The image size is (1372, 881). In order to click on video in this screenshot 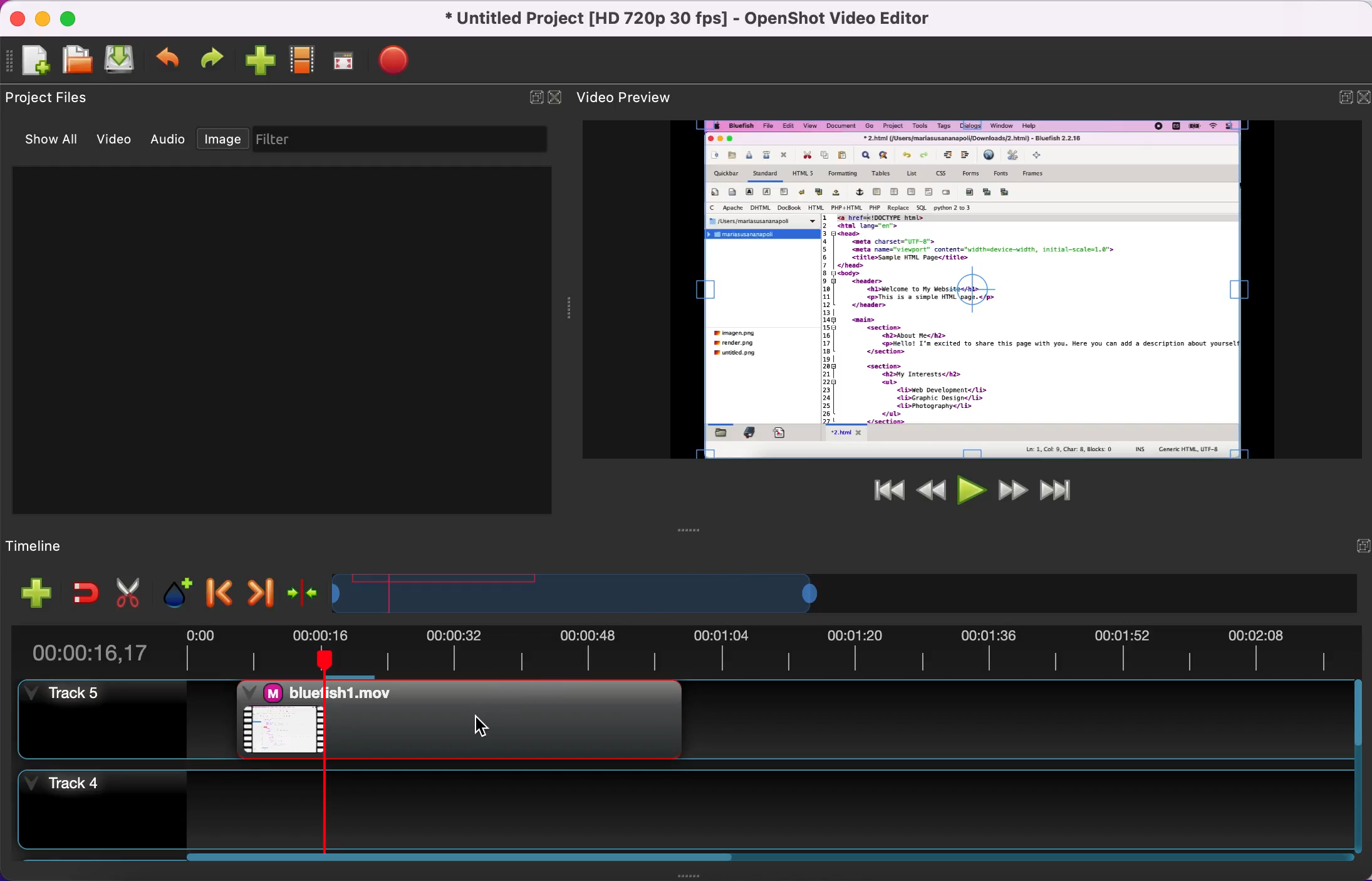, I will do `click(119, 141)`.